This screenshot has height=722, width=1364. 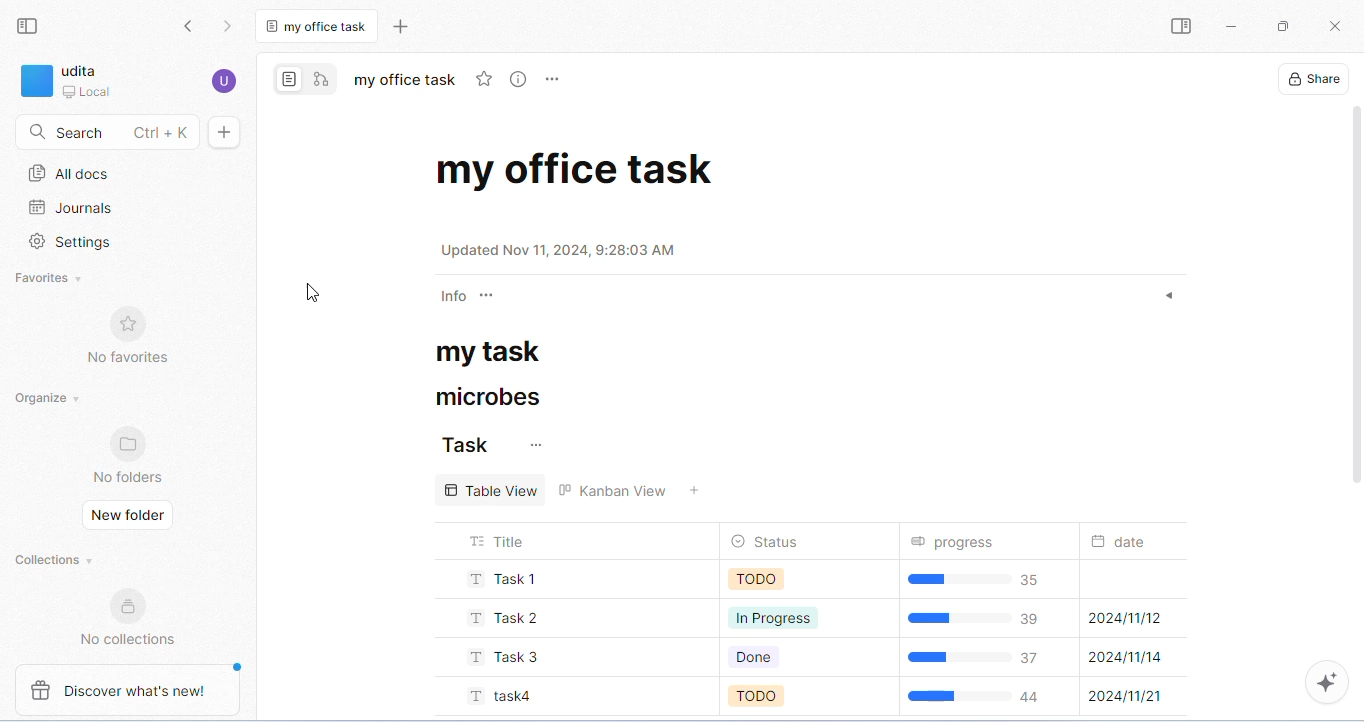 I want to click on go forward, so click(x=228, y=27).